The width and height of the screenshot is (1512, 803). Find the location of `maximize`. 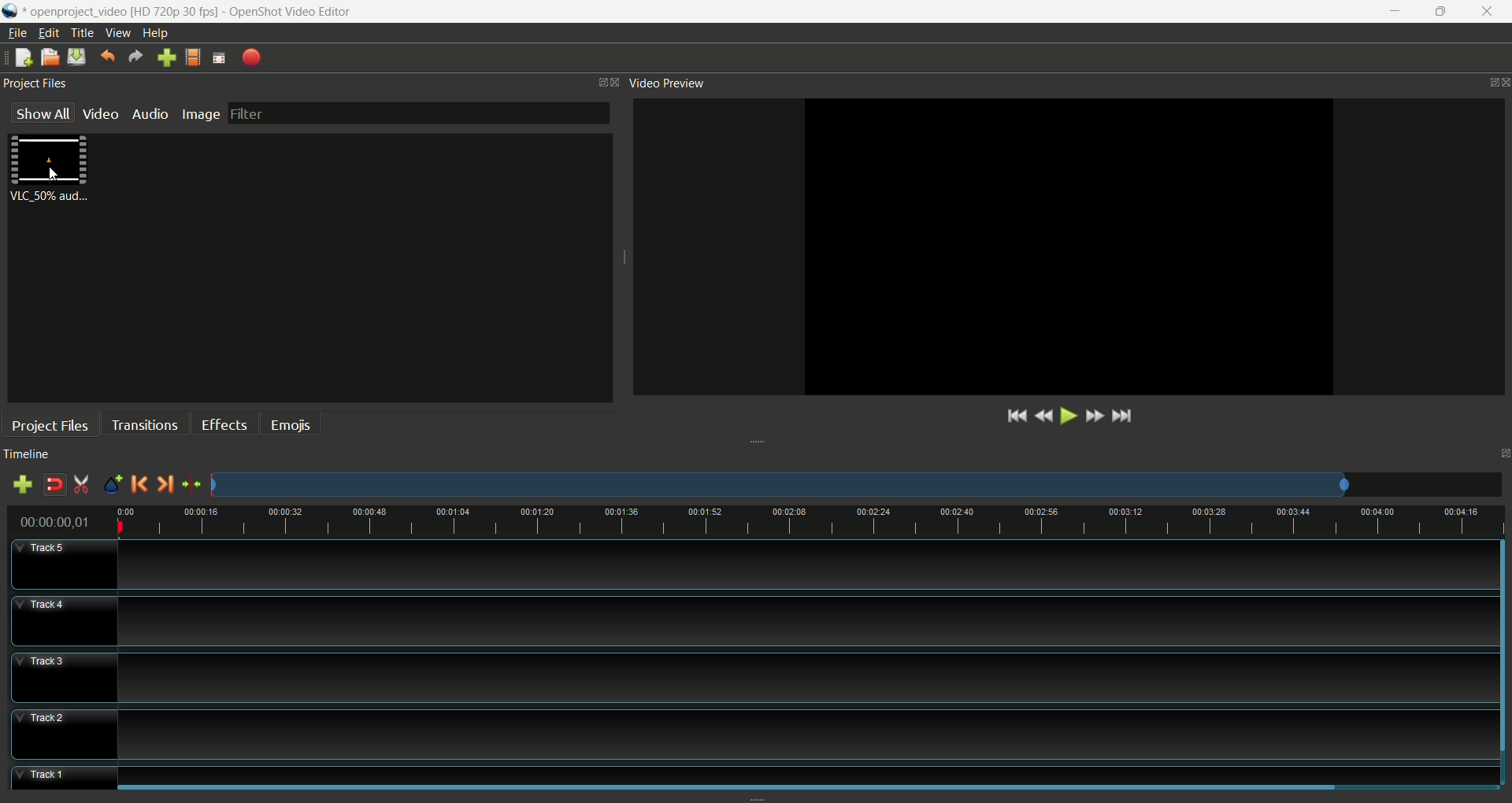

maximize is located at coordinates (1502, 452).